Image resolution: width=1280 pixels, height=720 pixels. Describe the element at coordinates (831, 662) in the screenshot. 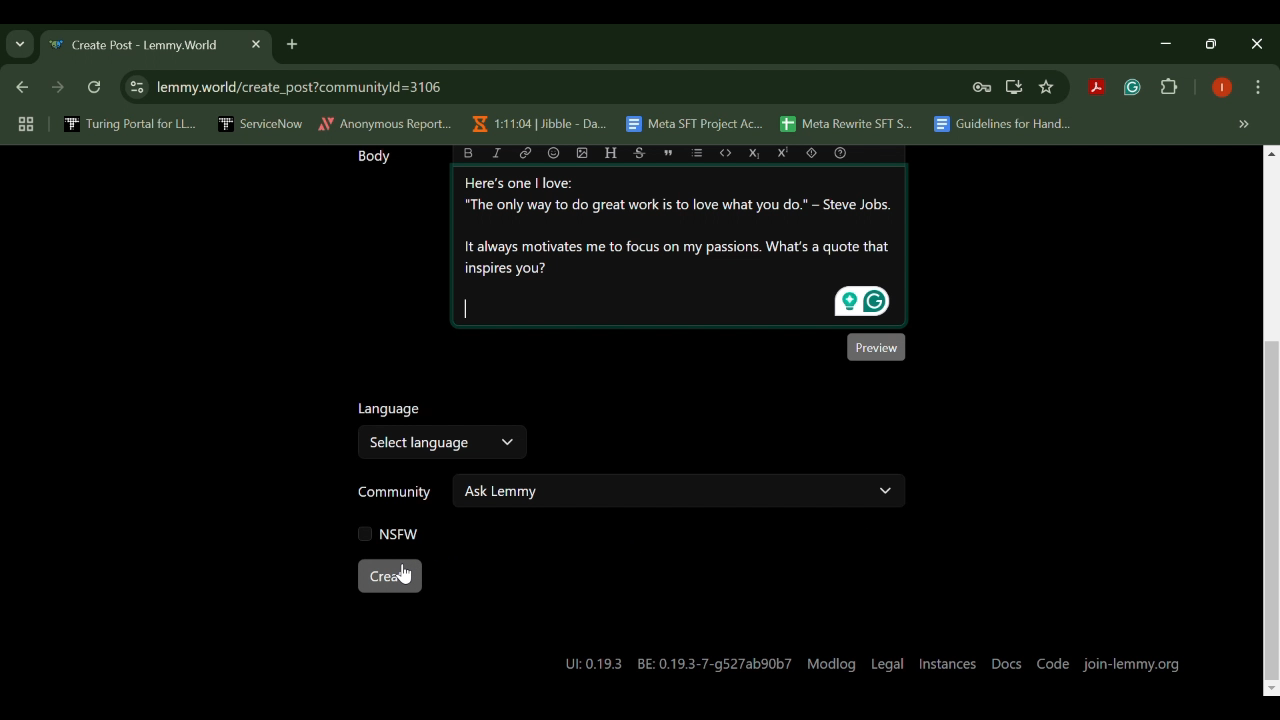

I see `Modlog` at that location.